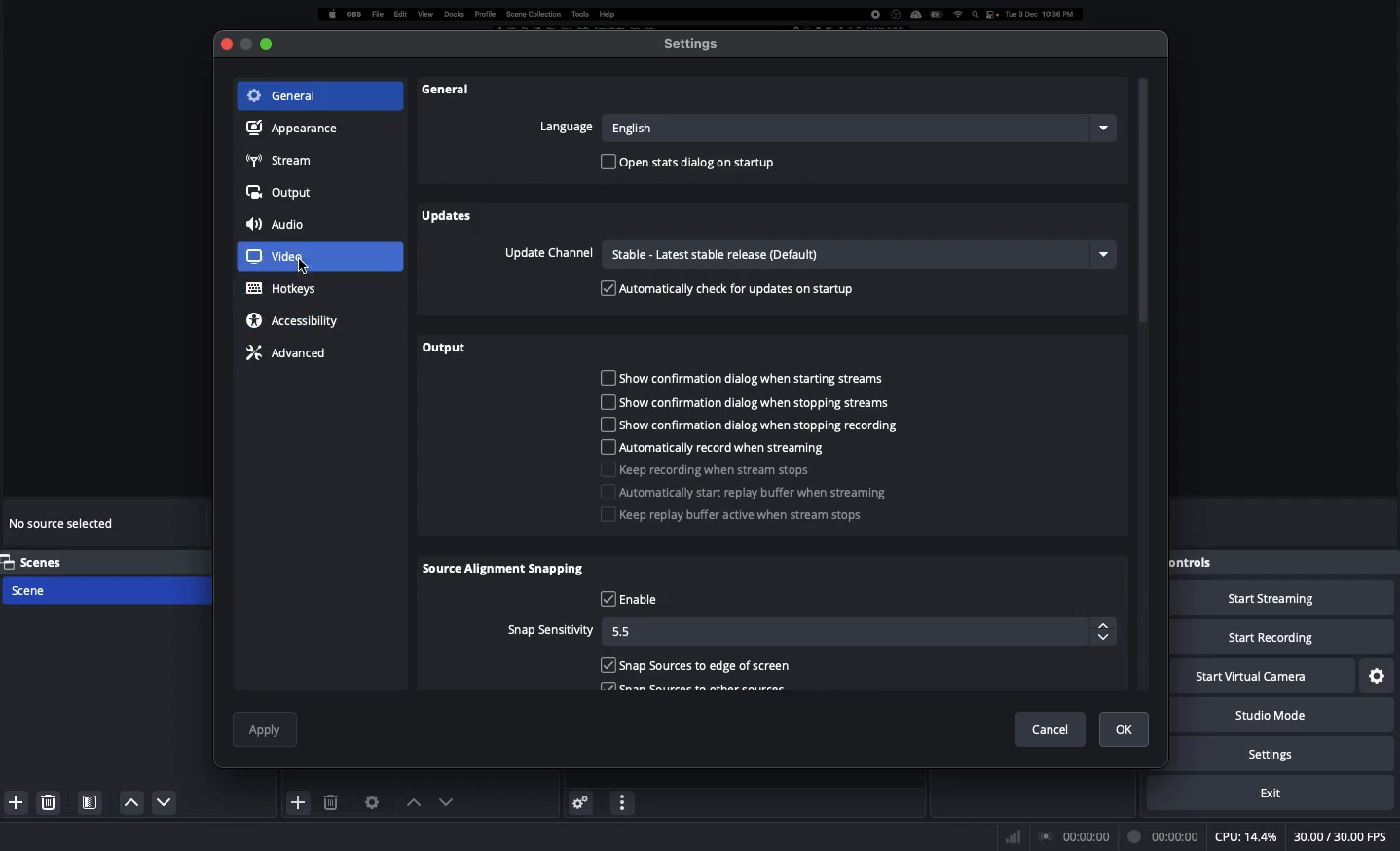 This screenshot has height=851, width=1400. What do you see at coordinates (863, 632) in the screenshot?
I see `5.5` at bounding box center [863, 632].